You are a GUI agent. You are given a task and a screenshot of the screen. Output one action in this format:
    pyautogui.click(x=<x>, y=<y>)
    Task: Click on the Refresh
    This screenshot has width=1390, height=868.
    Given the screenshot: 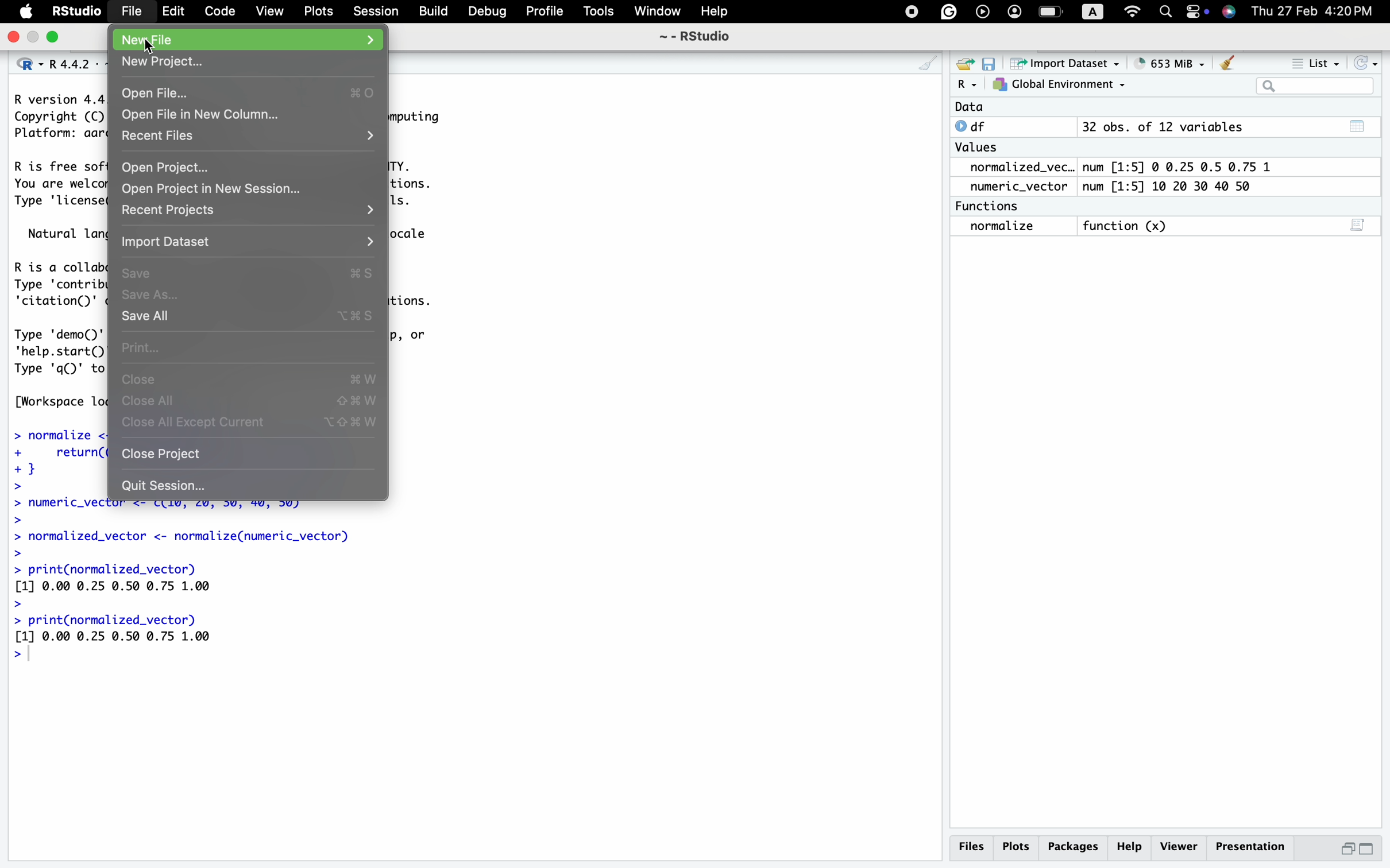 What is the action you would take?
    pyautogui.click(x=1367, y=63)
    